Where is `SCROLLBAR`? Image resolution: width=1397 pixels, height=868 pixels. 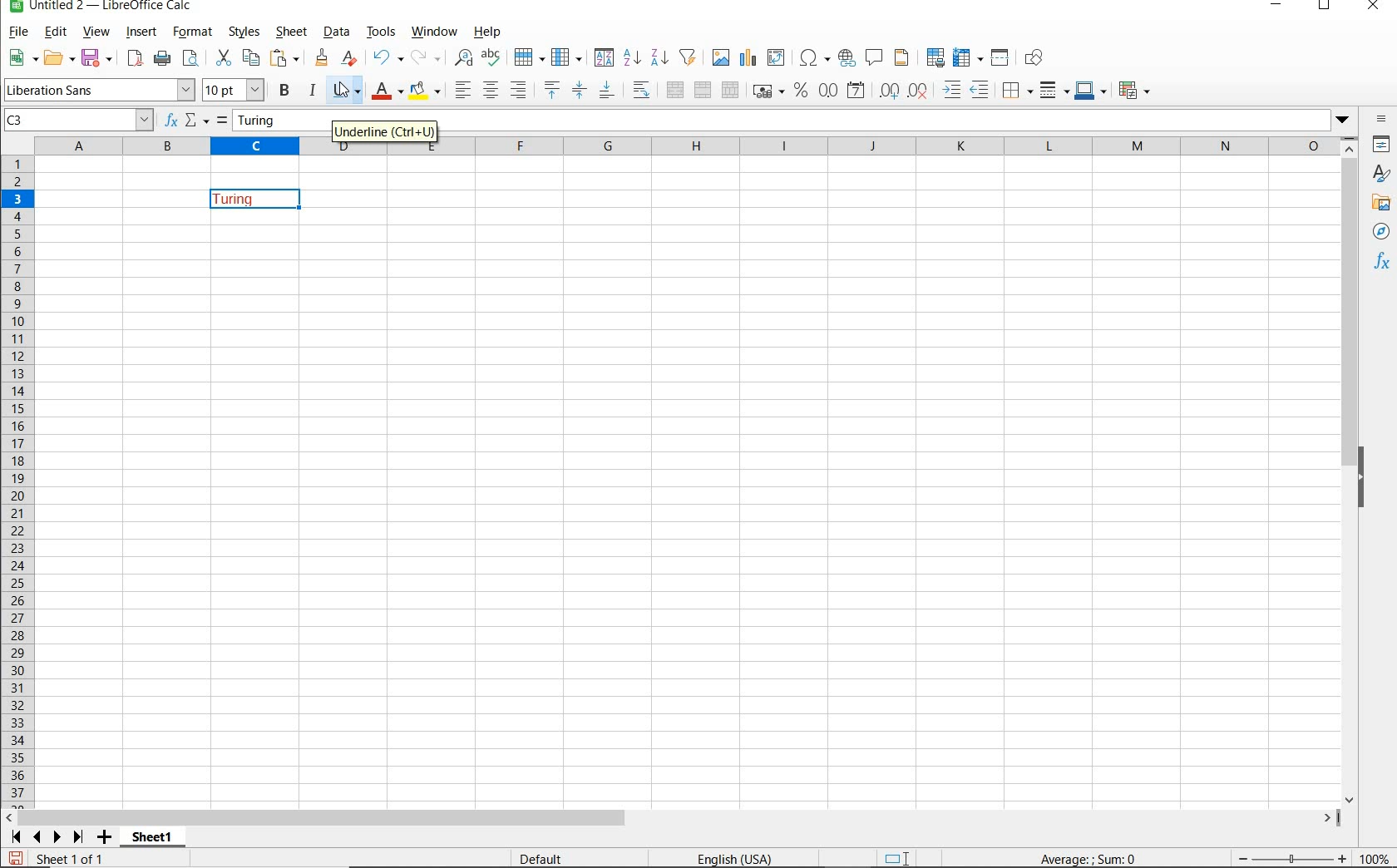 SCROLLBAR is located at coordinates (671, 818).